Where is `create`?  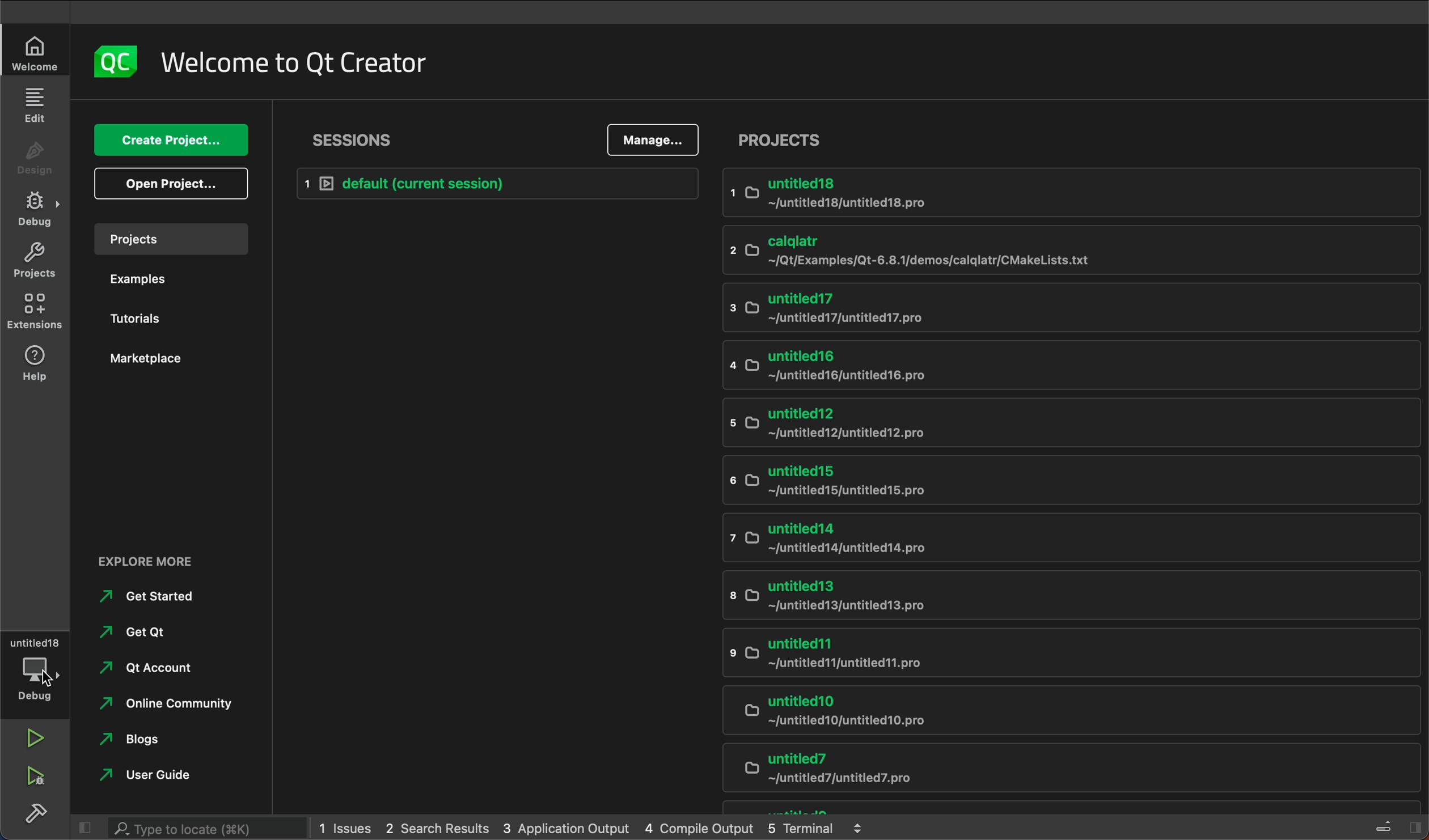 create is located at coordinates (172, 140).